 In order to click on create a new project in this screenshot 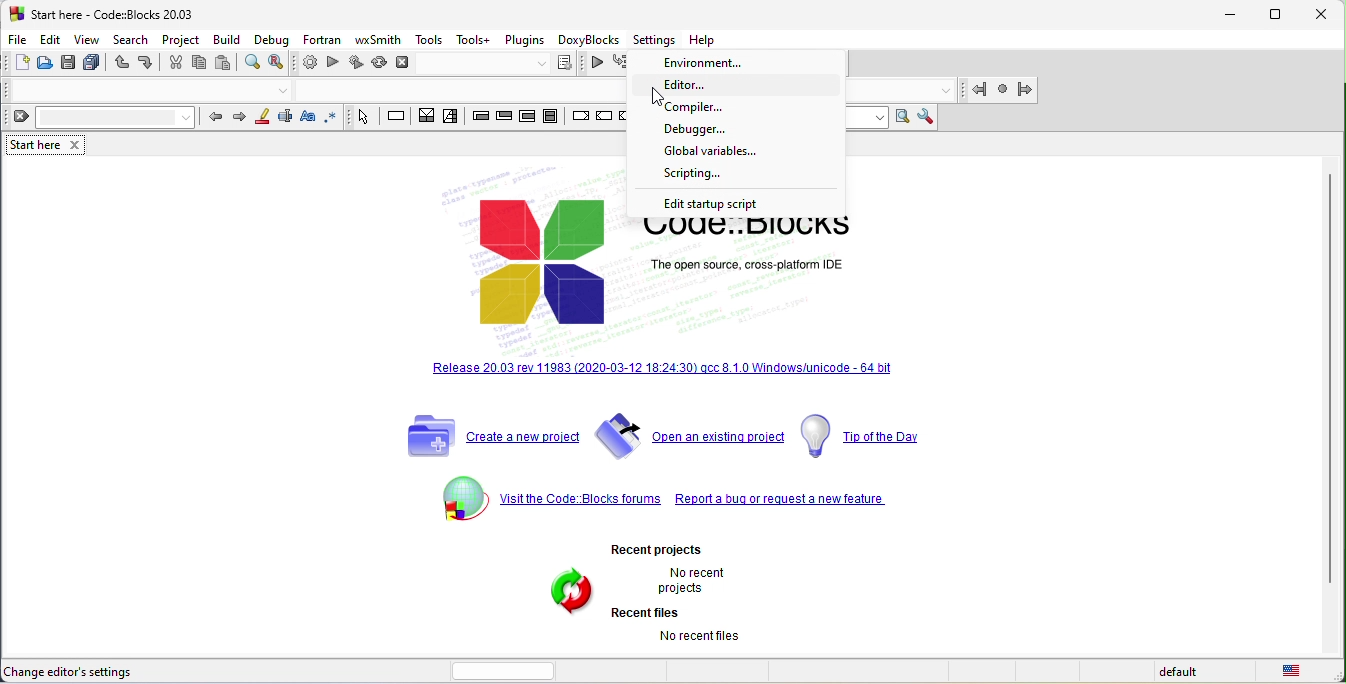, I will do `click(486, 436)`.